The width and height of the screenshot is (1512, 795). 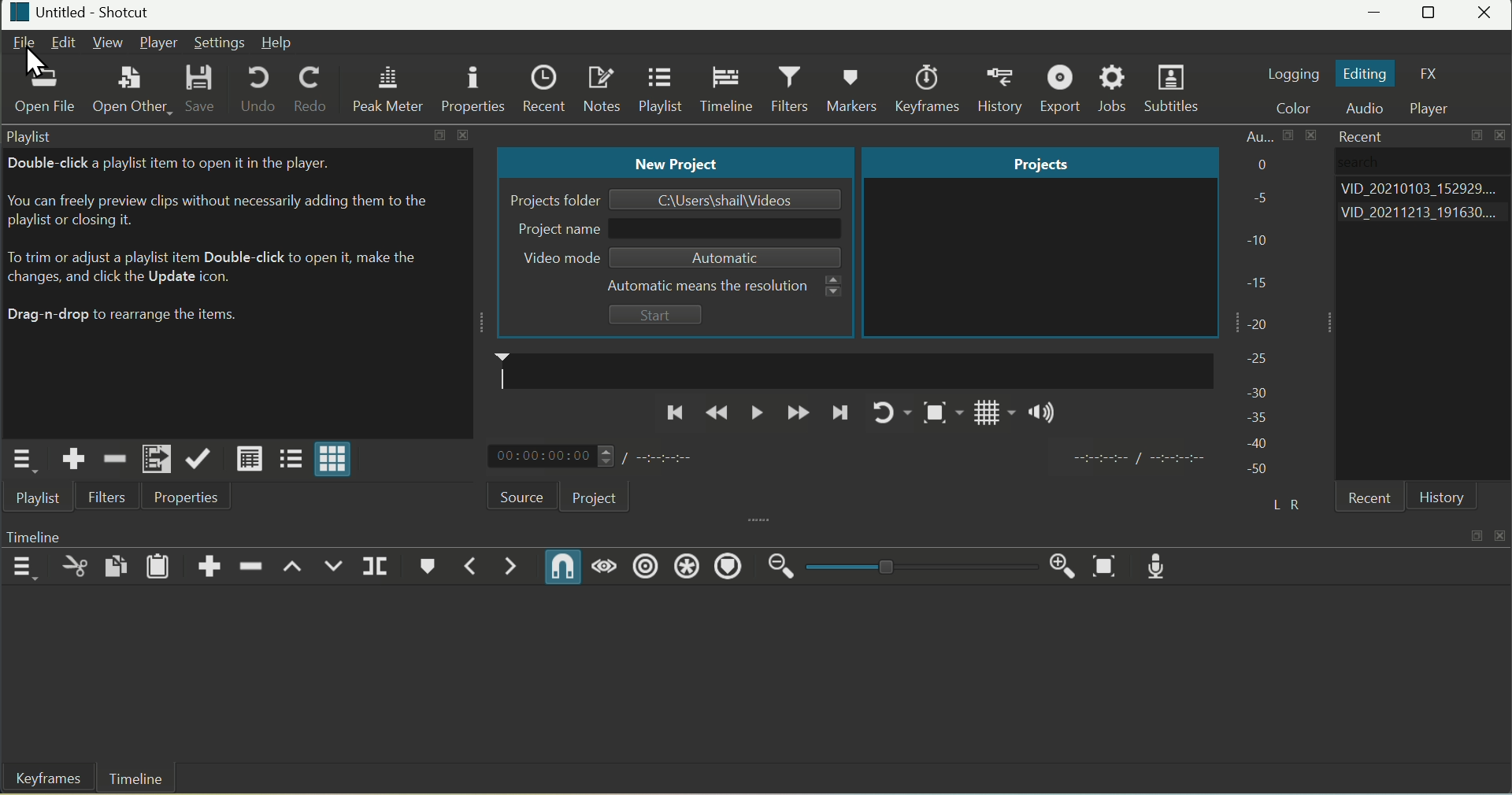 What do you see at coordinates (933, 416) in the screenshot?
I see `Snapshot` at bounding box center [933, 416].